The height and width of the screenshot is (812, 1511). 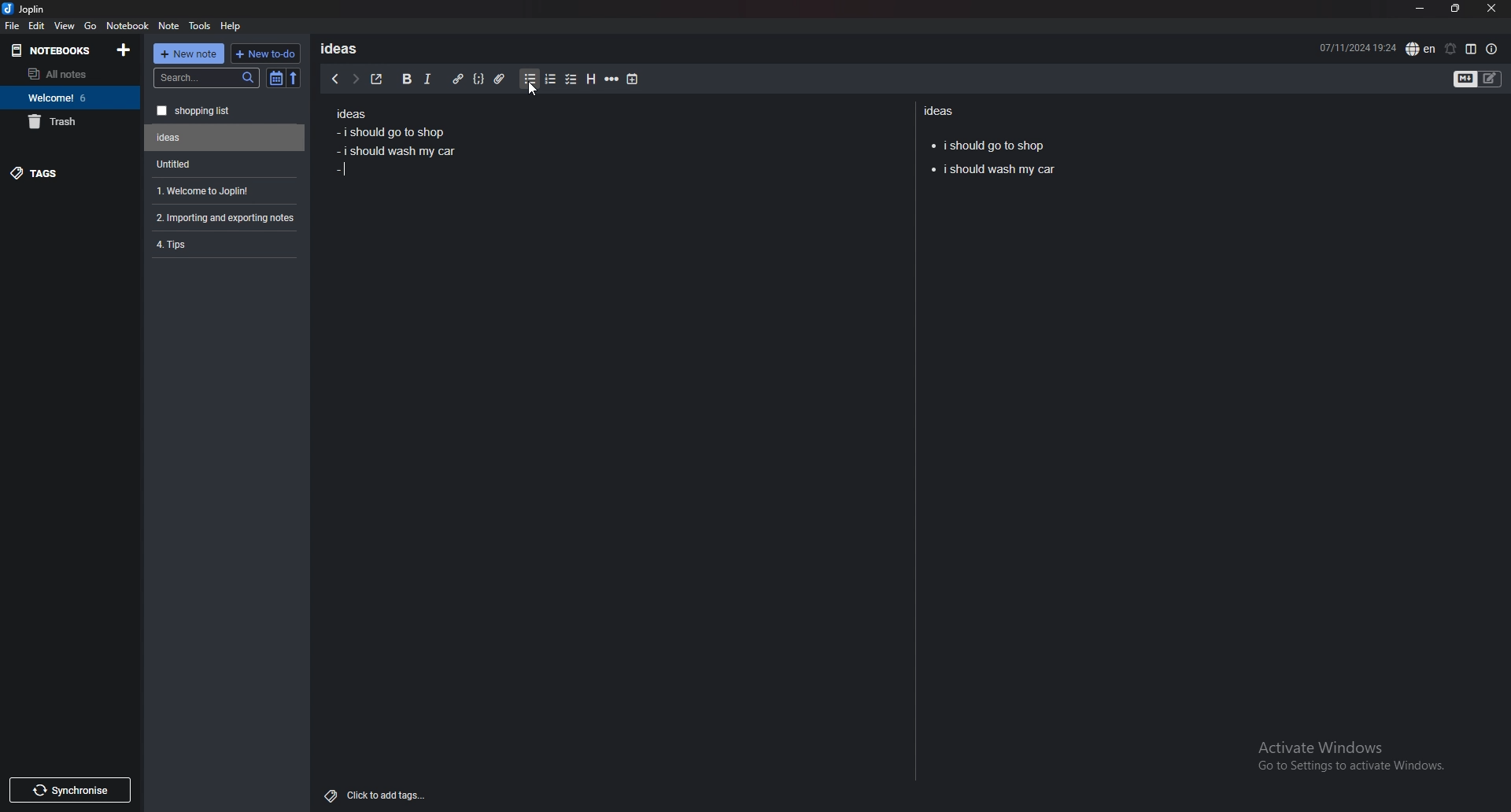 What do you see at coordinates (1492, 50) in the screenshot?
I see `note properties` at bounding box center [1492, 50].